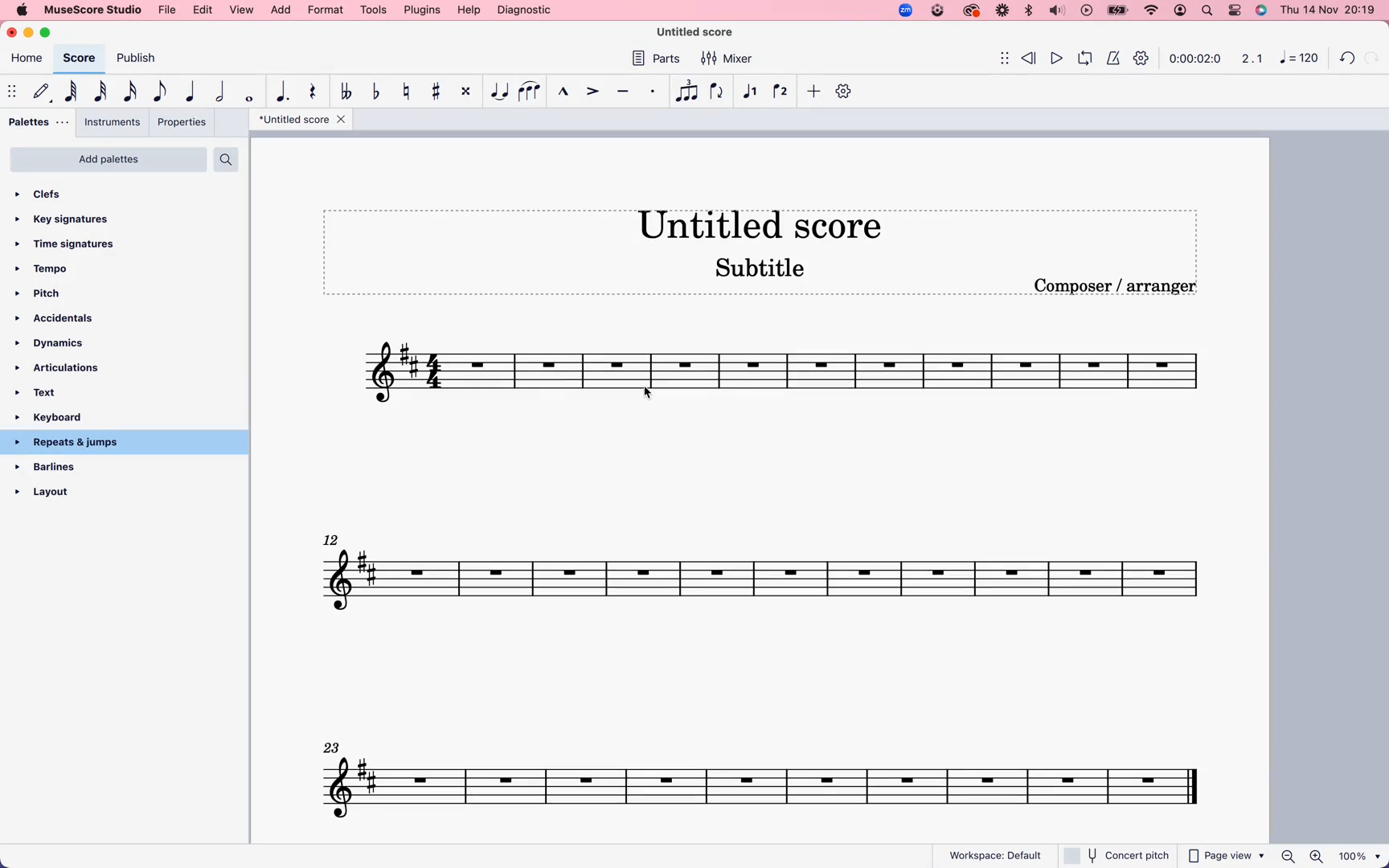  Describe the element at coordinates (1084, 56) in the screenshot. I see `loop playback` at that location.